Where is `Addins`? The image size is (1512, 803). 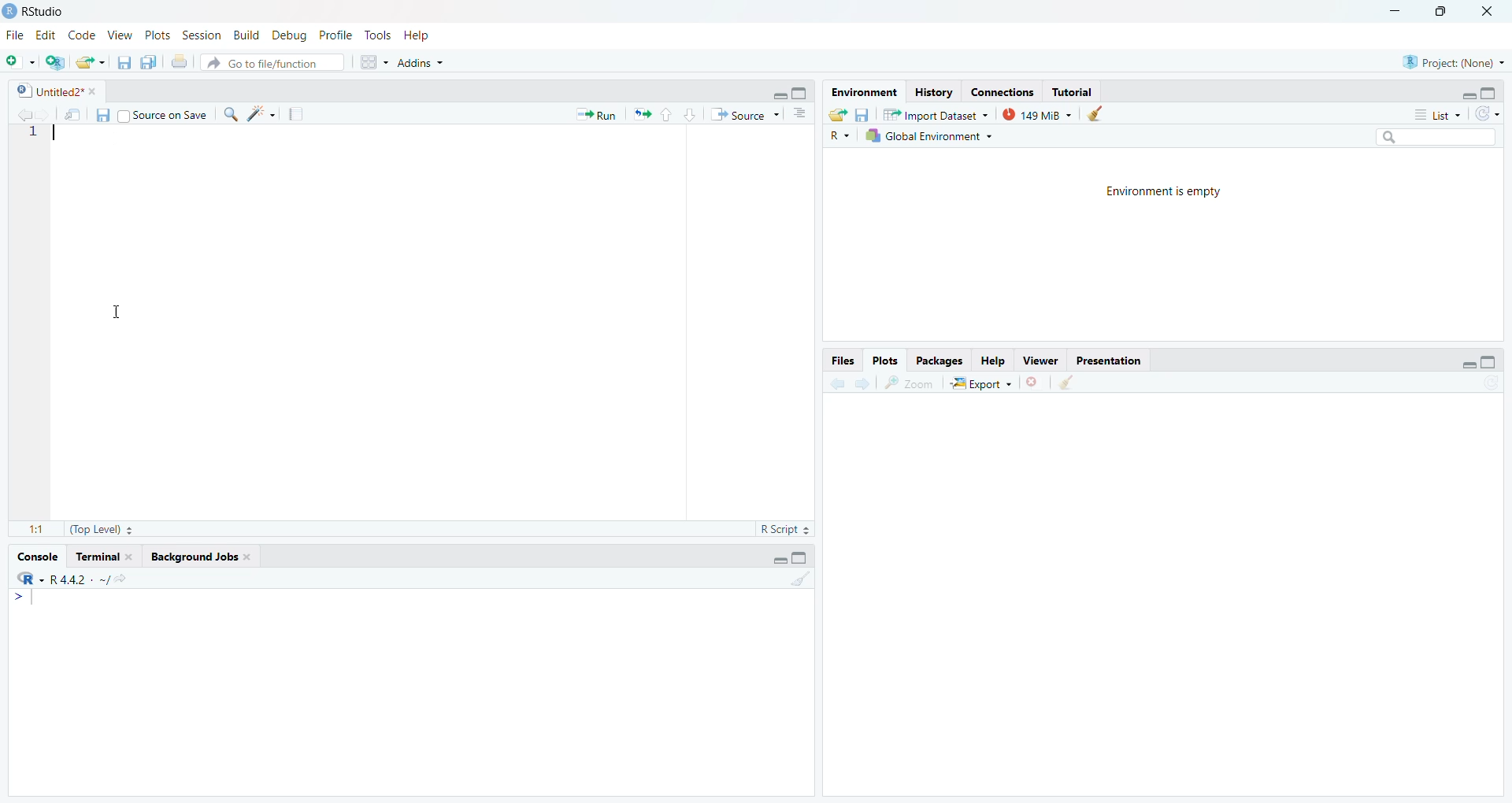
Addins is located at coordinates (423, 62).